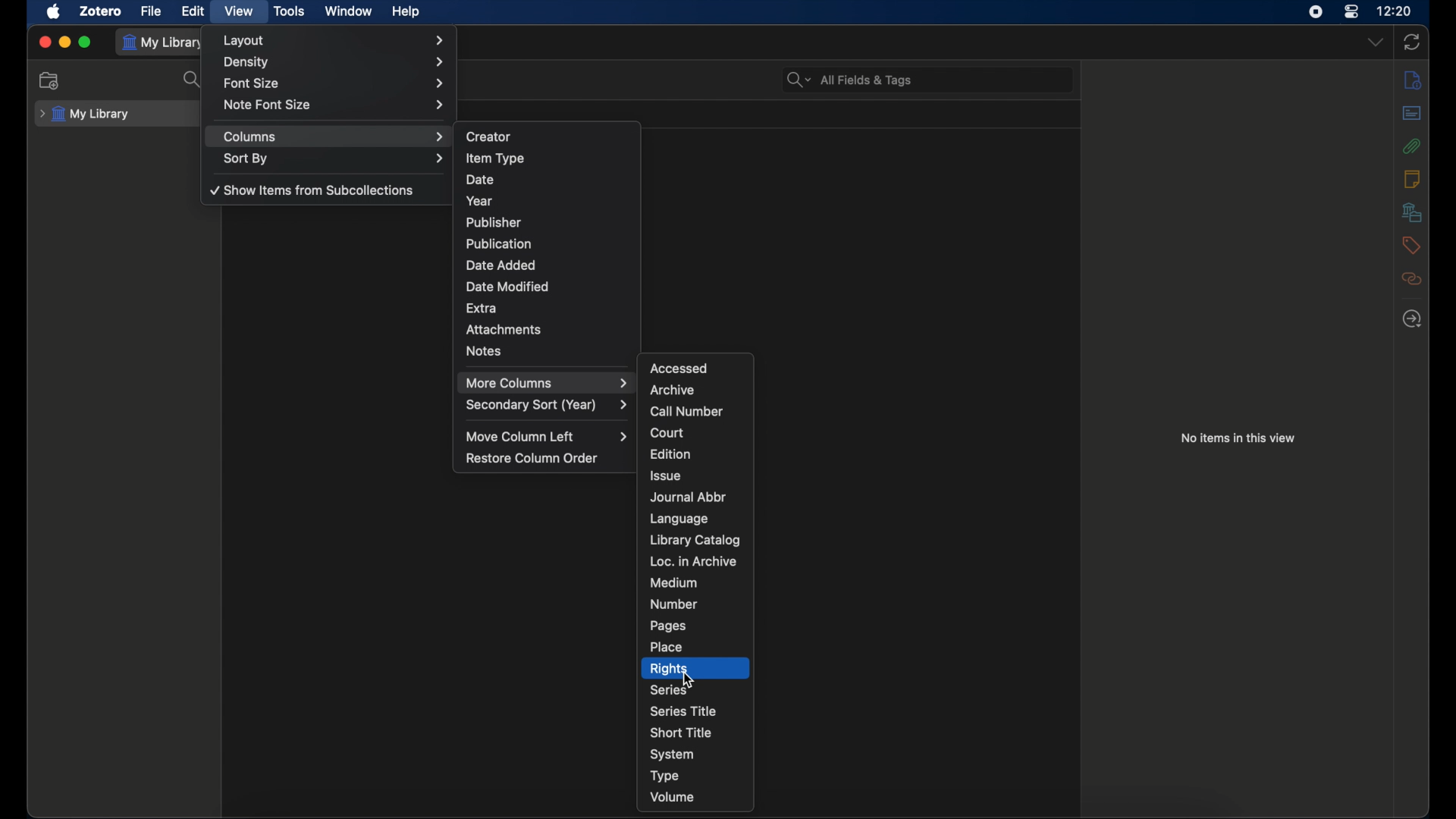  I want to click on notes, so click(483, 351).